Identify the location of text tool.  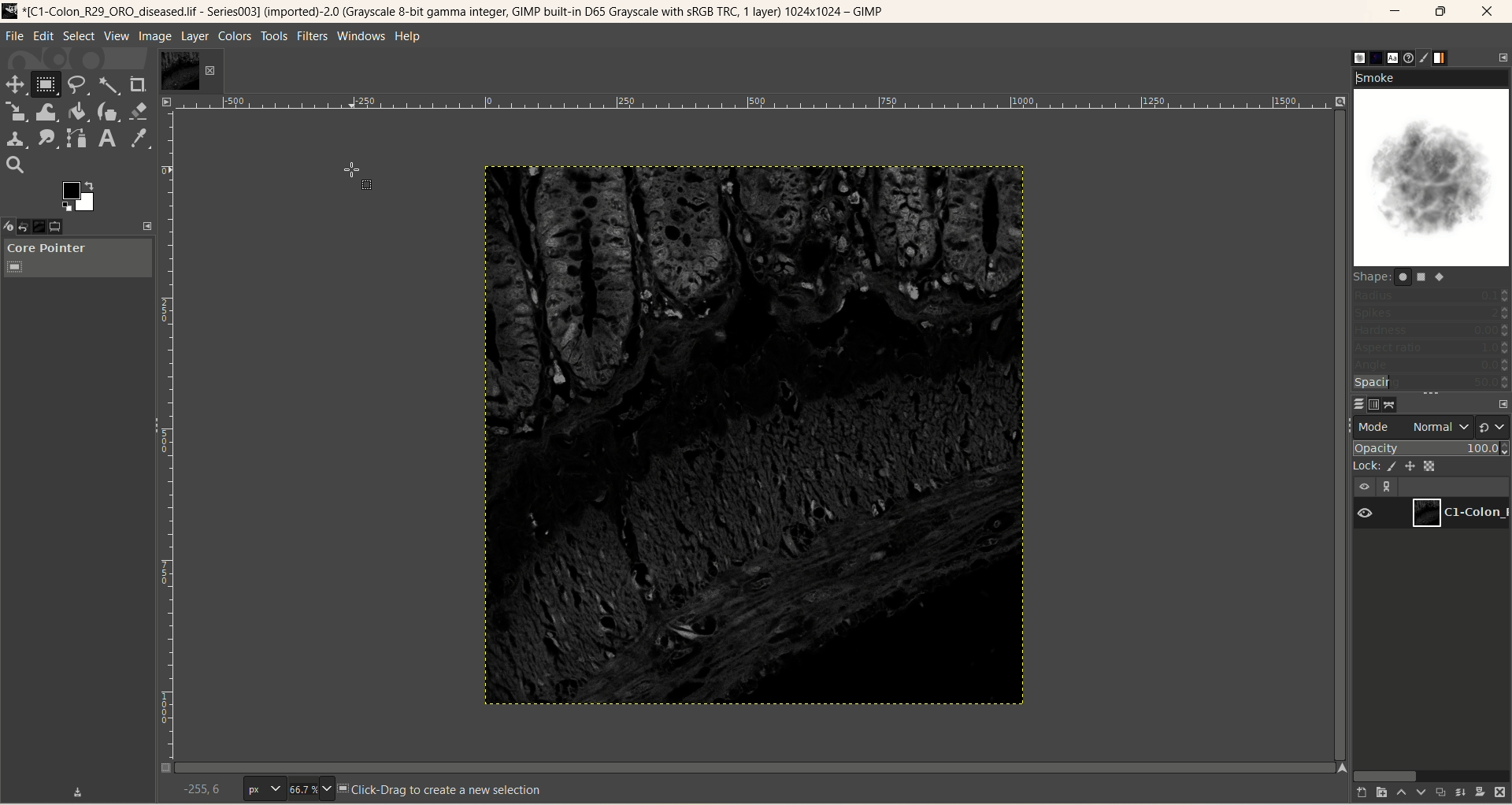
(107, 139).